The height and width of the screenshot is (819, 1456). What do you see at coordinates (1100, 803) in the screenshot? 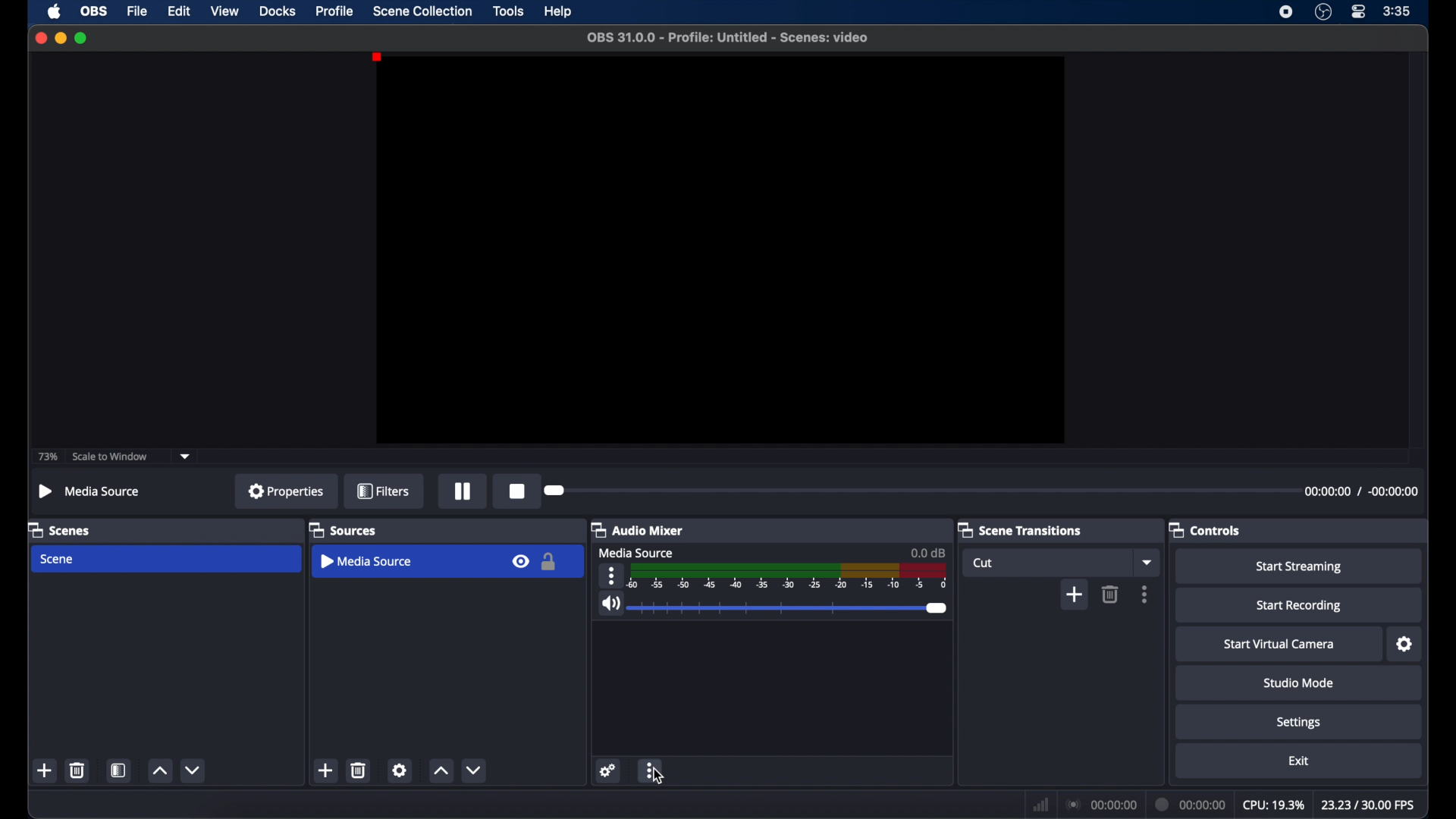
I see `connection` at bounding box center [1100, 803].